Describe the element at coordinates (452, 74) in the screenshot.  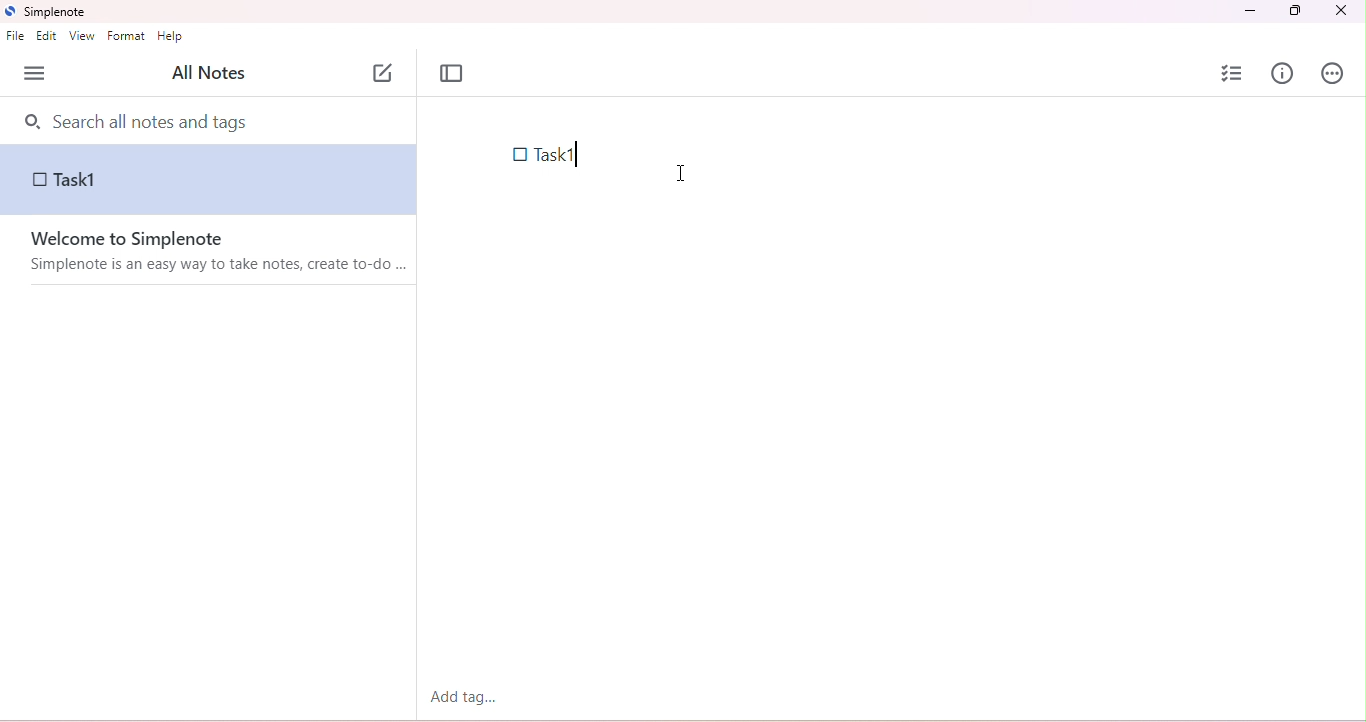
I see `toggle focus mode` at that location.